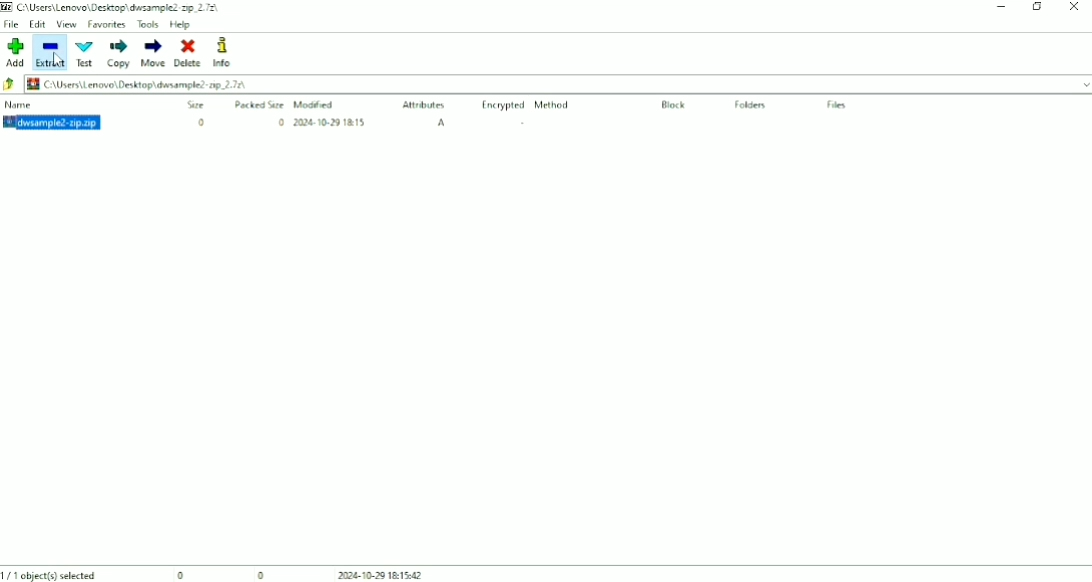 This screenshot has height=582, width=1092. What do you see at coordinates (837, 105) in the screenshot?
I see `Files` at bounding box center [837, 105].